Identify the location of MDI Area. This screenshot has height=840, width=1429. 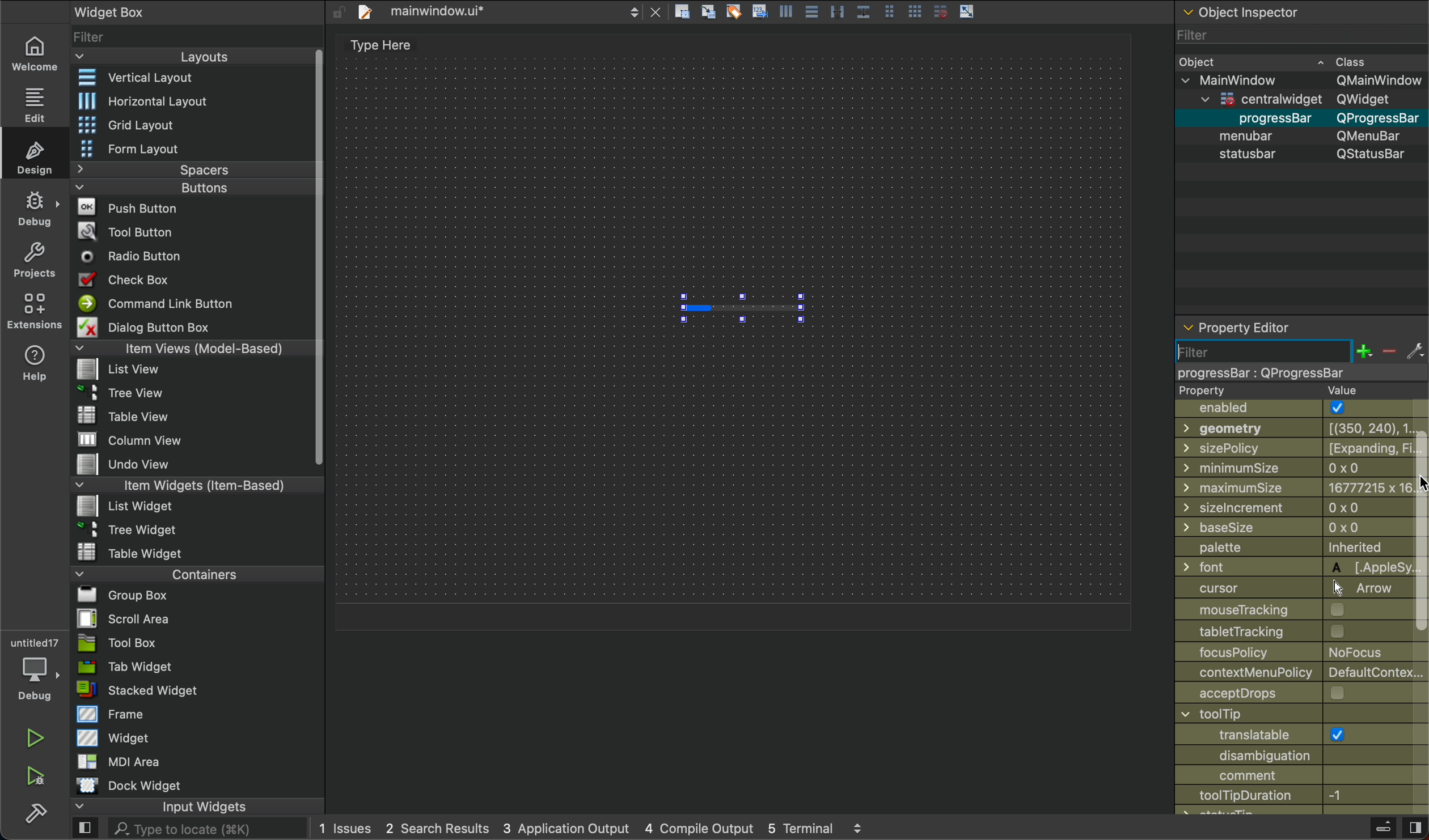
(116, 761).